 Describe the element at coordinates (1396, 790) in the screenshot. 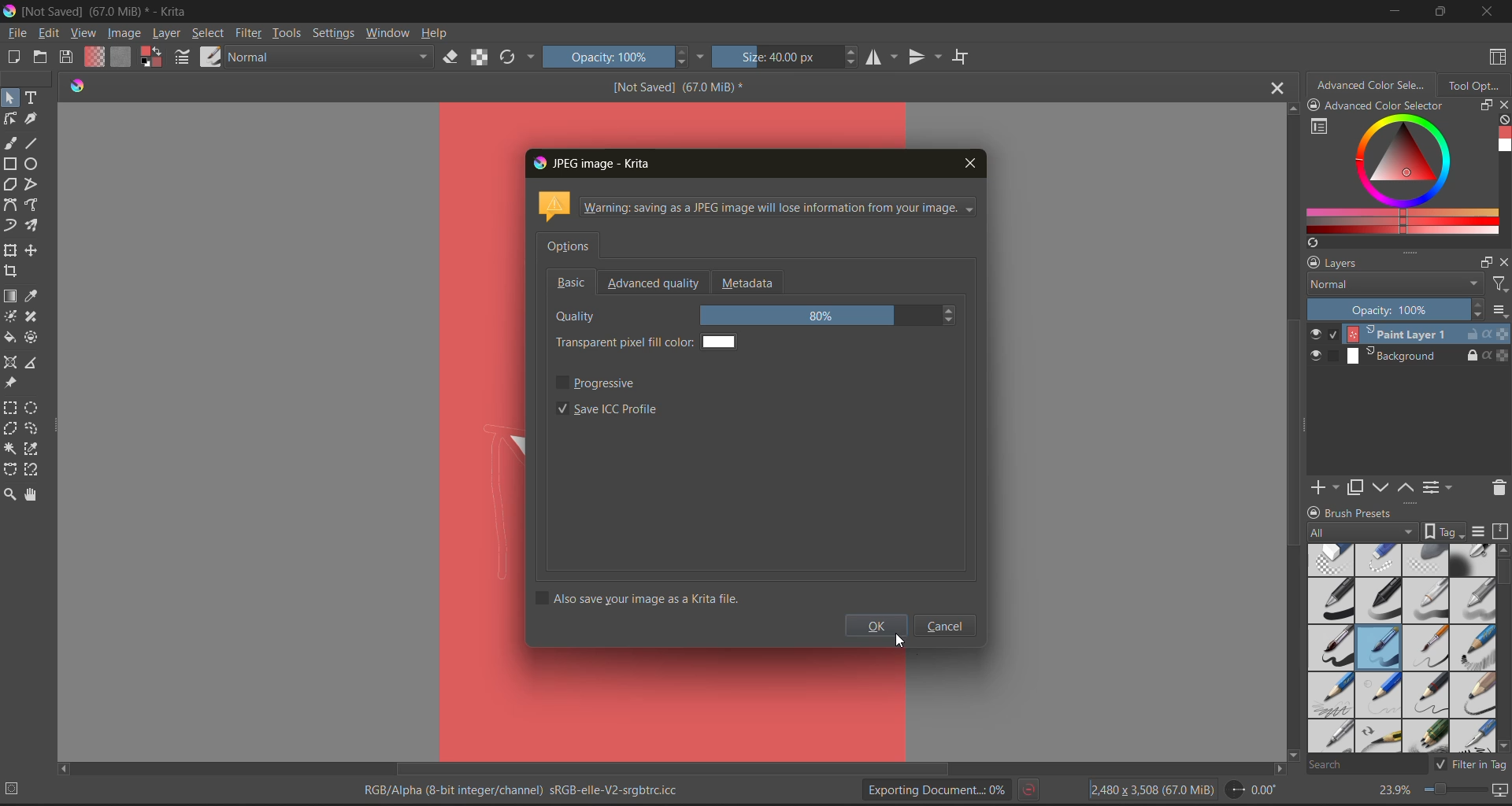

I see `zoom factor` at that location.